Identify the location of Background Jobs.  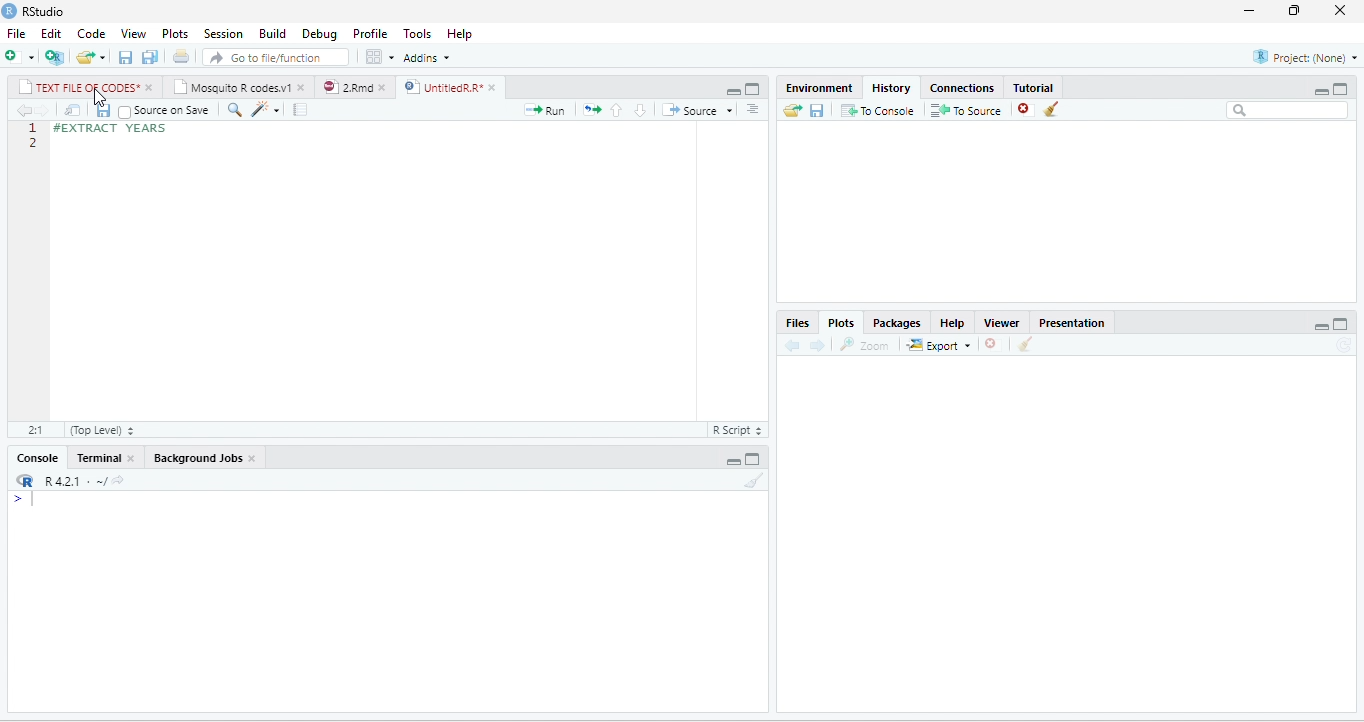
(196, 458).